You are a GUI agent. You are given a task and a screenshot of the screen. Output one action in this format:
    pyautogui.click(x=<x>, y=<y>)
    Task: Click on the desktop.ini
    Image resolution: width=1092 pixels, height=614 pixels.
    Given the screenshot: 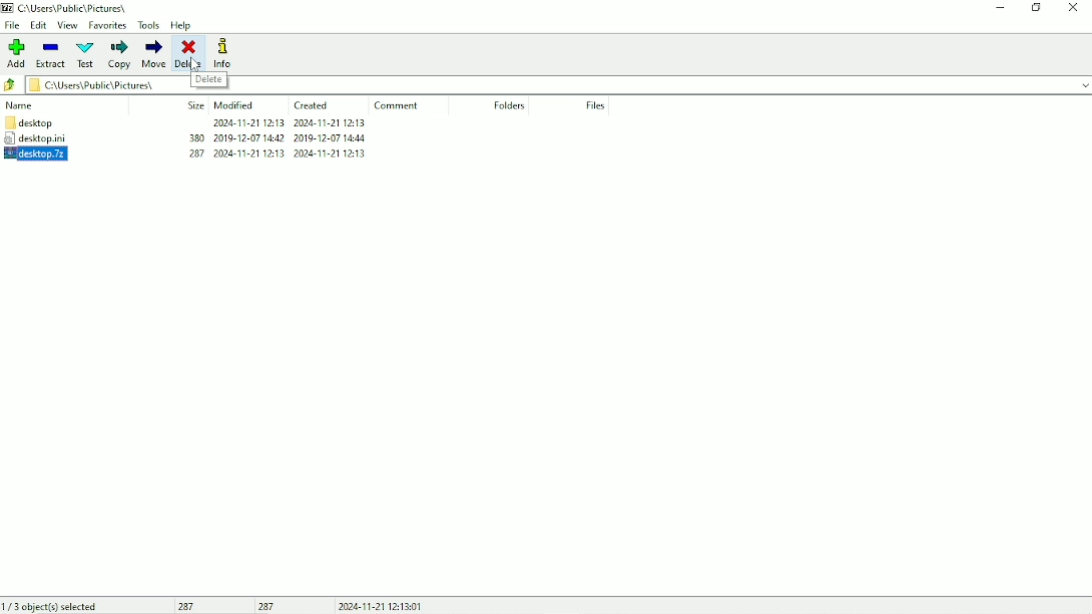 What is the action you would take?
    pyautogui.click(x=50, y=138)
    